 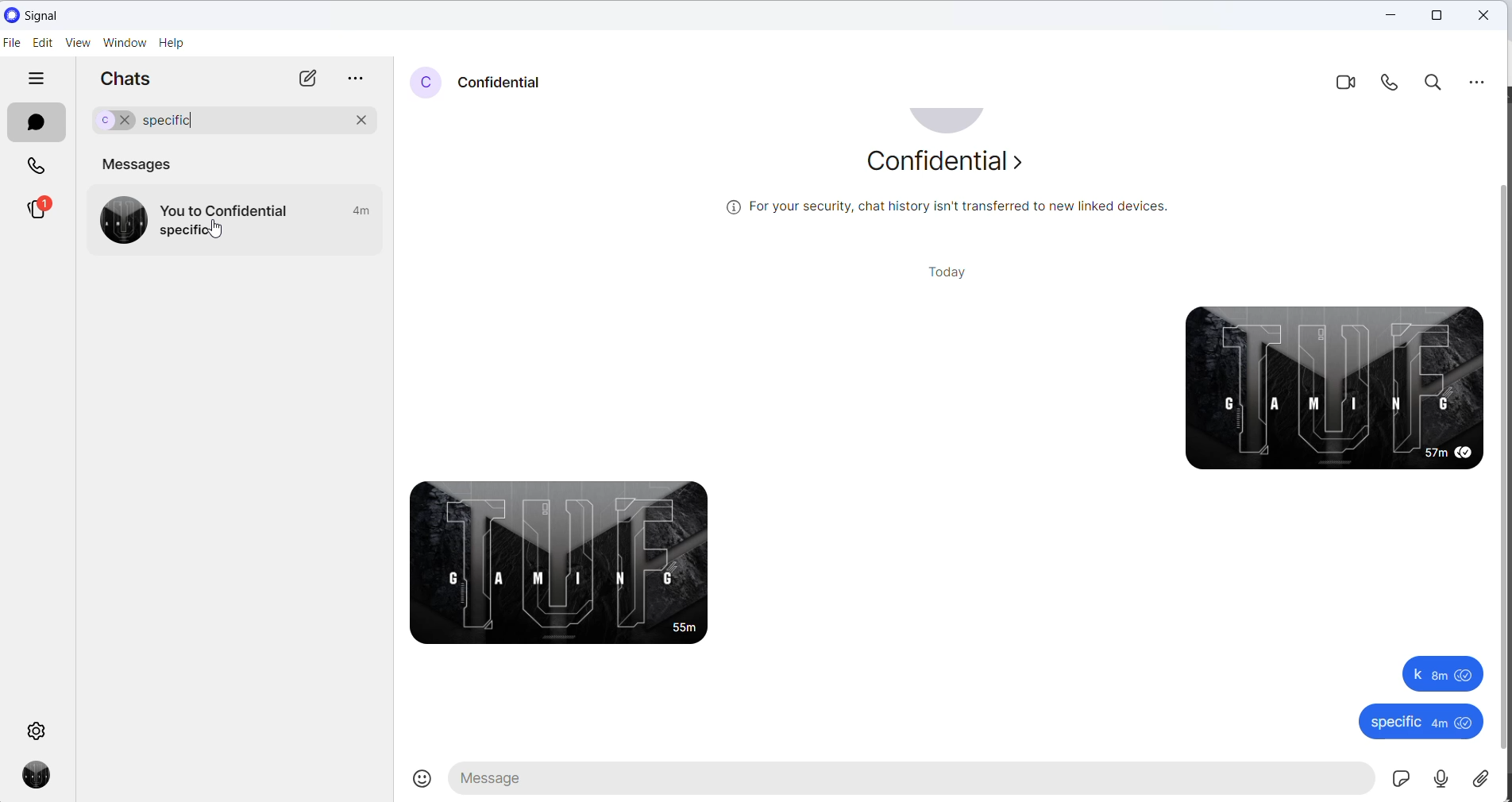 What do you see at coordinates (362, 212) in the screenshot?
I see `last active time` at bounding box center [362, 212].